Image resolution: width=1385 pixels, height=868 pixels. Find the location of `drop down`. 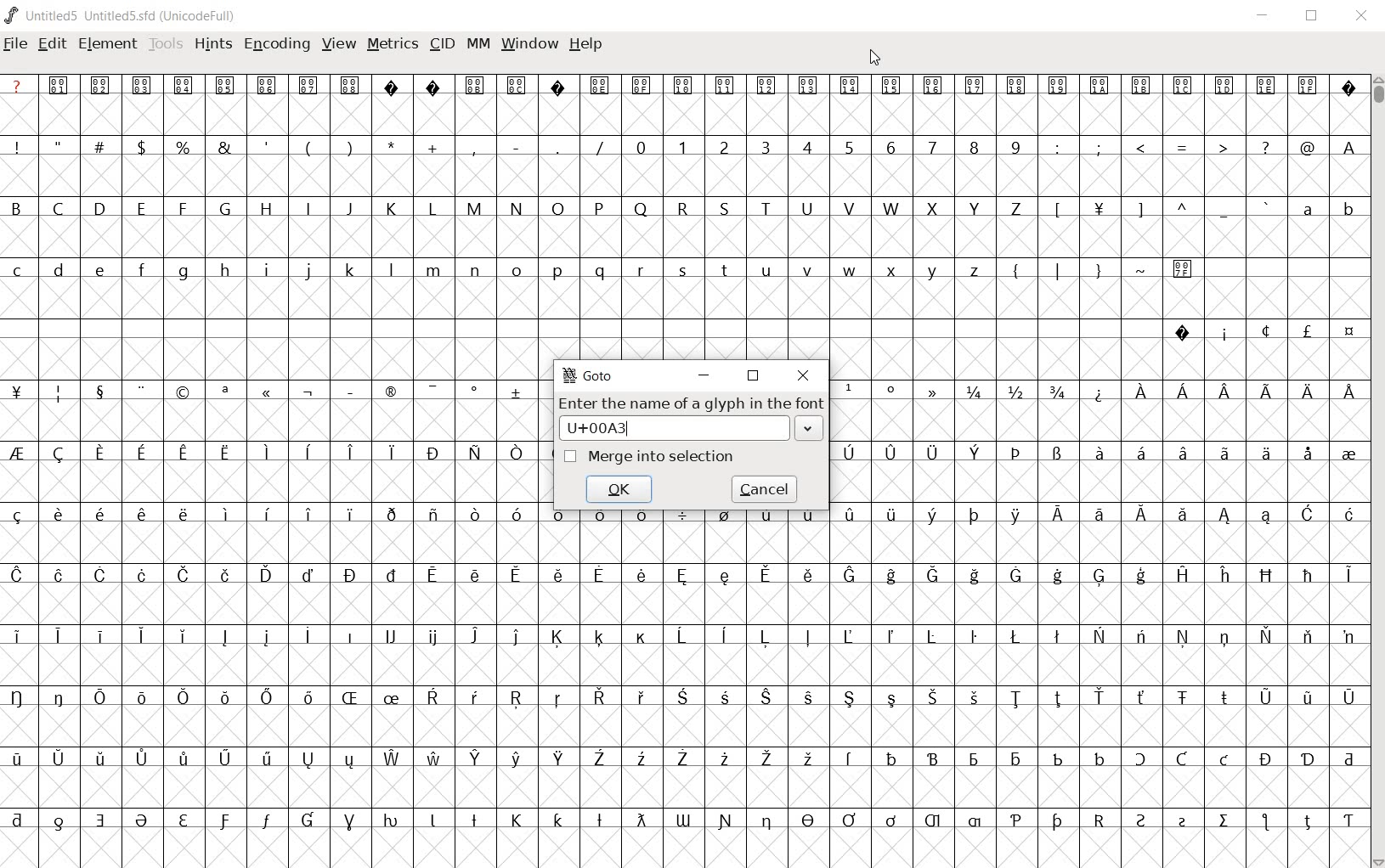

drop down is located at coordinates (811, 429).